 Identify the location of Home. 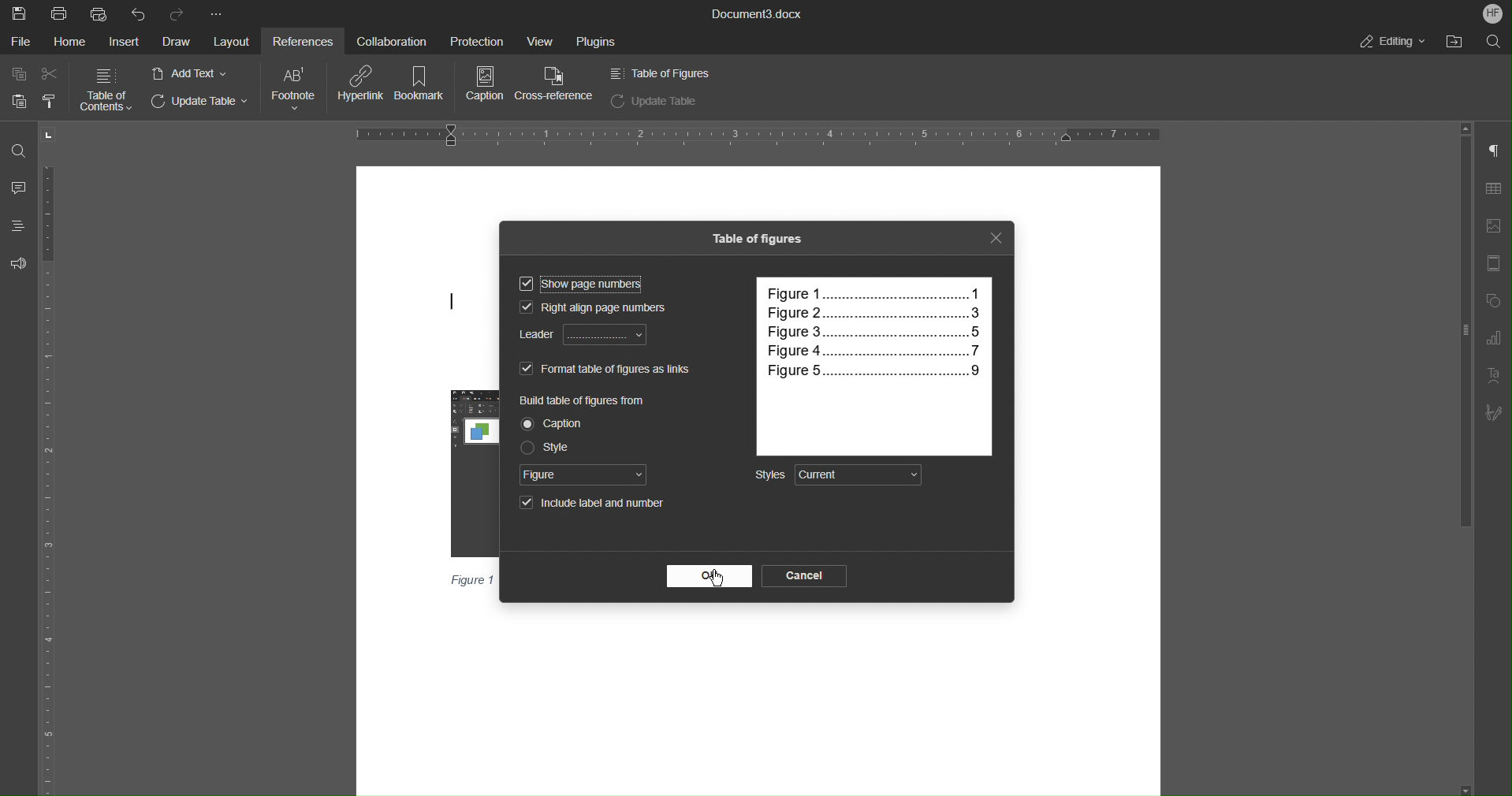
(73, 42).